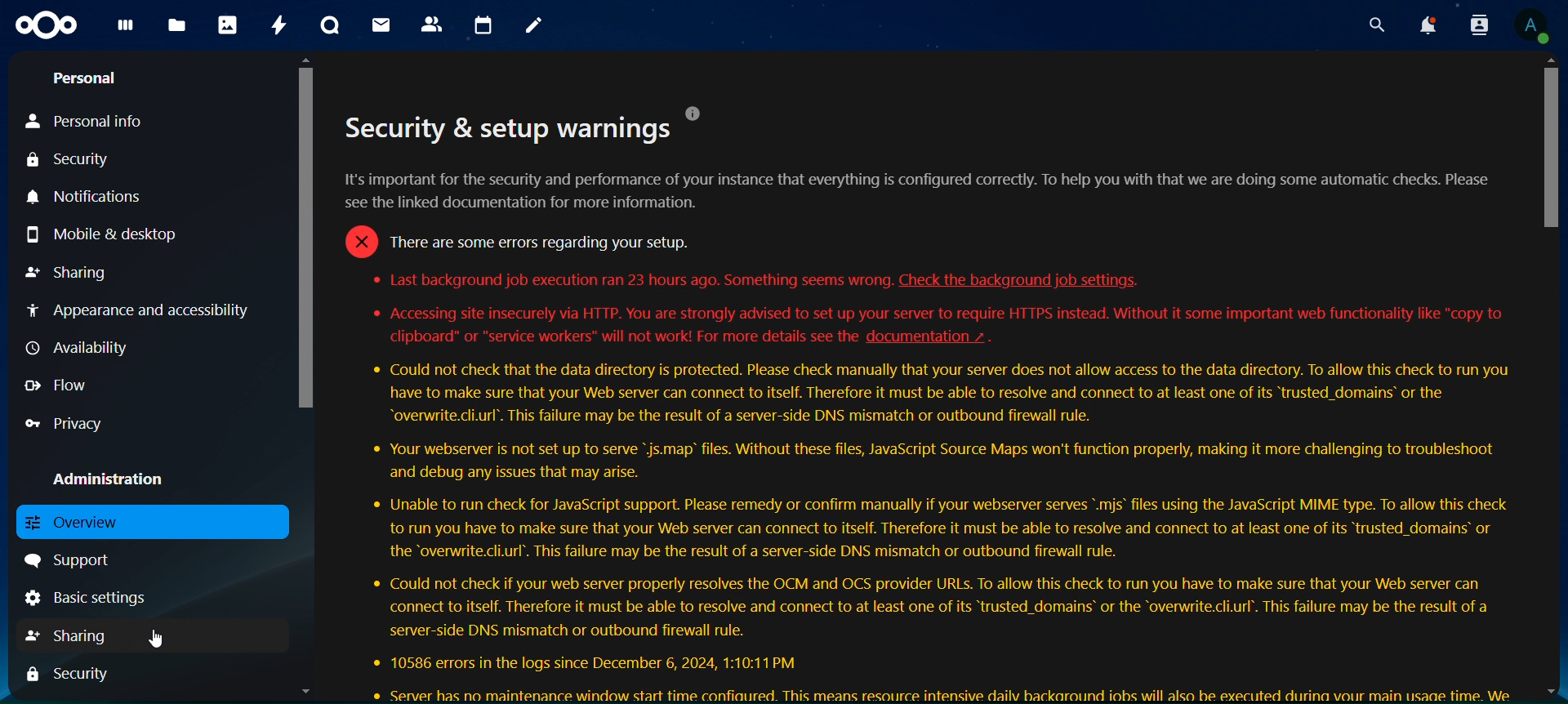 The width and height of the screenshot is (1568, 704). What do you see at coordinates (925, 403) in the screenshot?
I see `text` at bounding box center [925, 403].